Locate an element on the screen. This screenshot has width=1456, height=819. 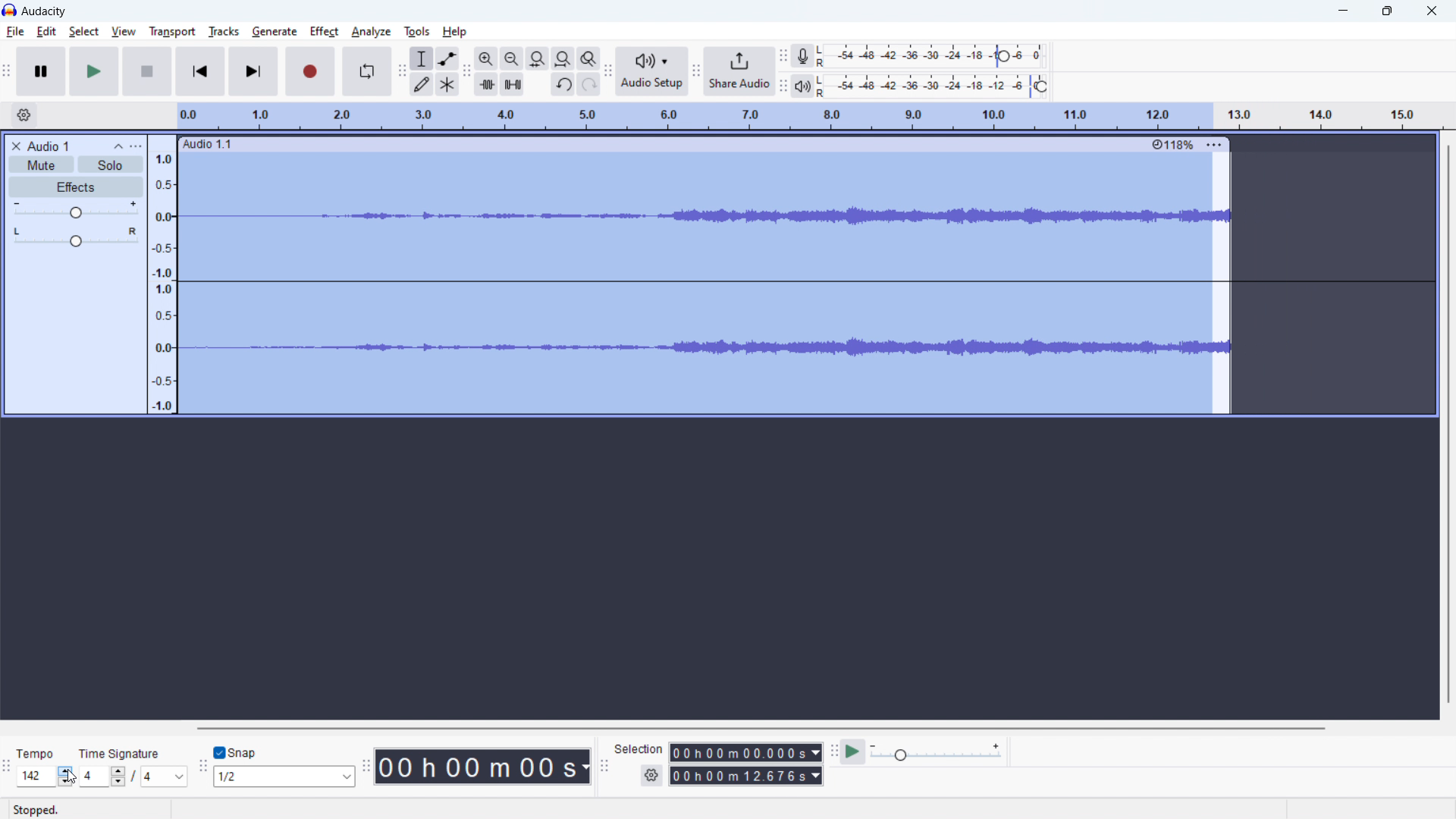
recording meter is located at coordinates (799, 56).